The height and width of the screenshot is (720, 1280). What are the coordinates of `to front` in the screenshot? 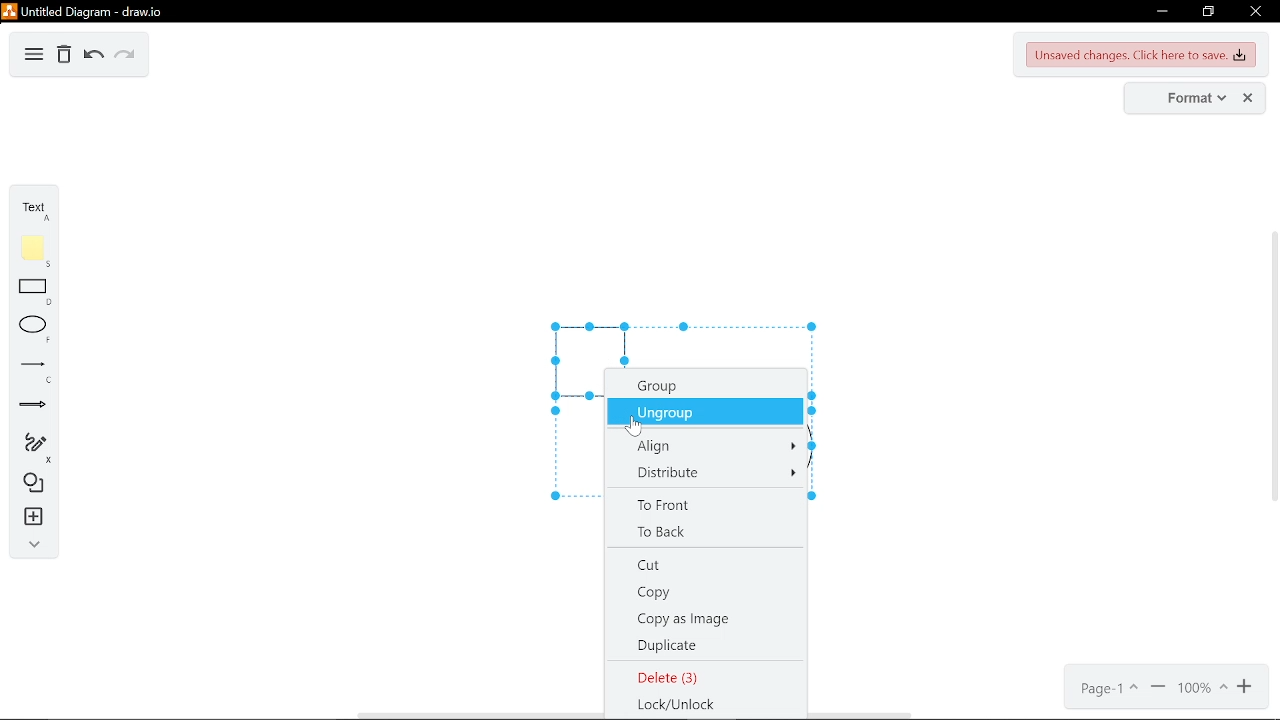 It's located at (710, 502).